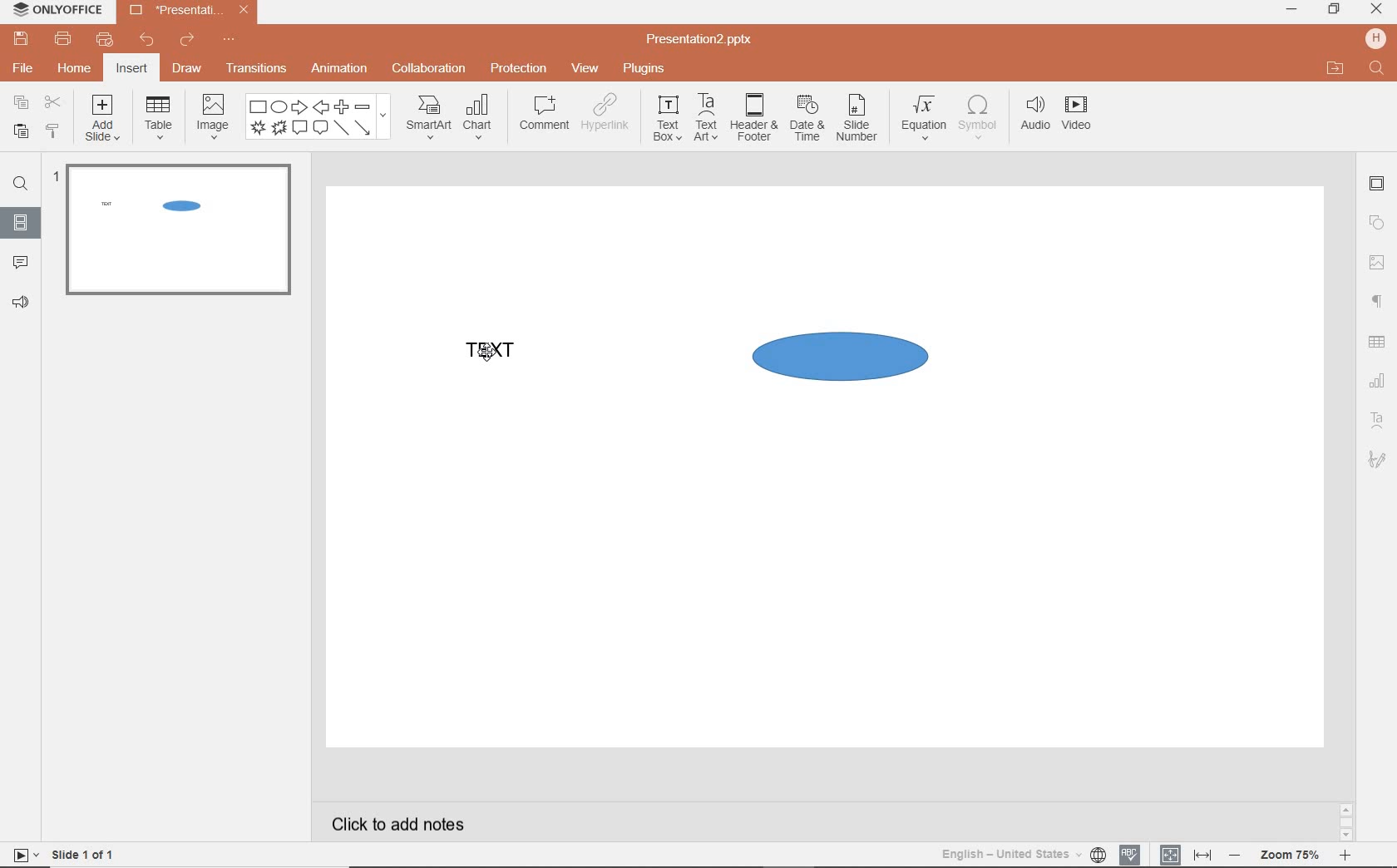 The height and width of the screenshot is (868, 1397). Describe the element at coordinates (1377, 262) in the screenshot. I see `IMAGE SETTINGS` at that location.